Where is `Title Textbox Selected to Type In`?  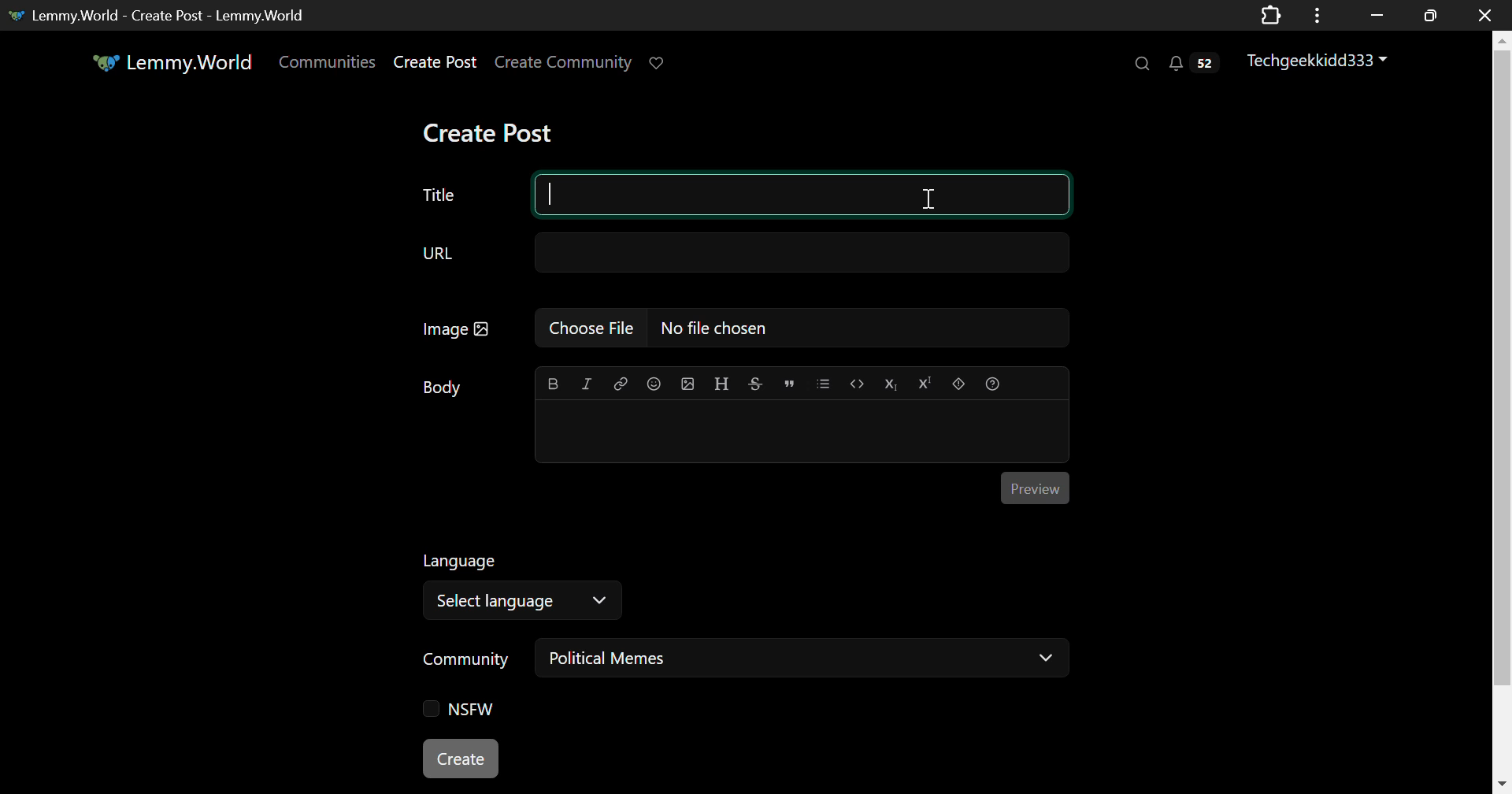
Title Textbox Selected to Type In is located at coordinates (800, 195).